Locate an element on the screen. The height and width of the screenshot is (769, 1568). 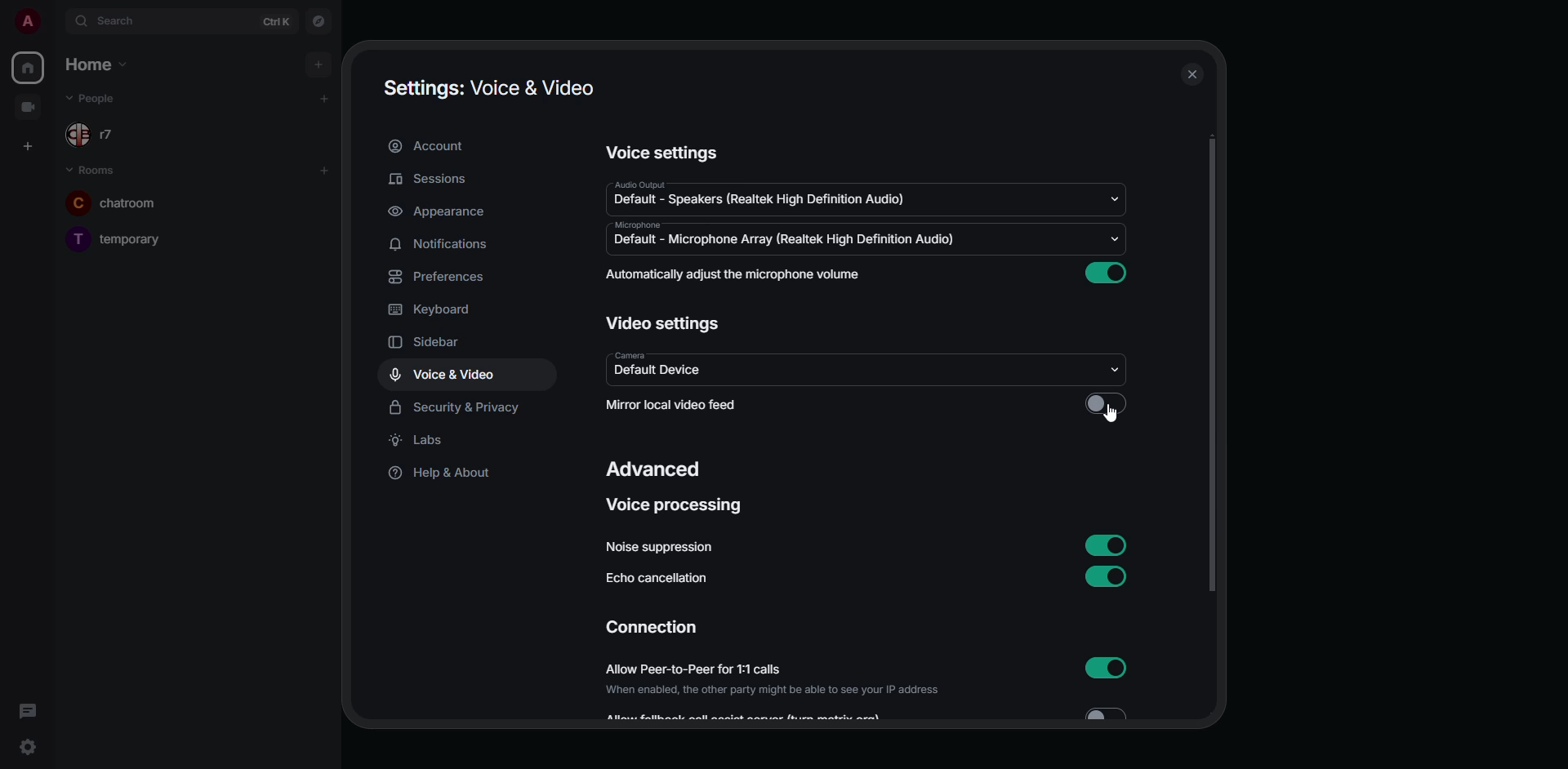
create space is located at coordinates (30, 145).